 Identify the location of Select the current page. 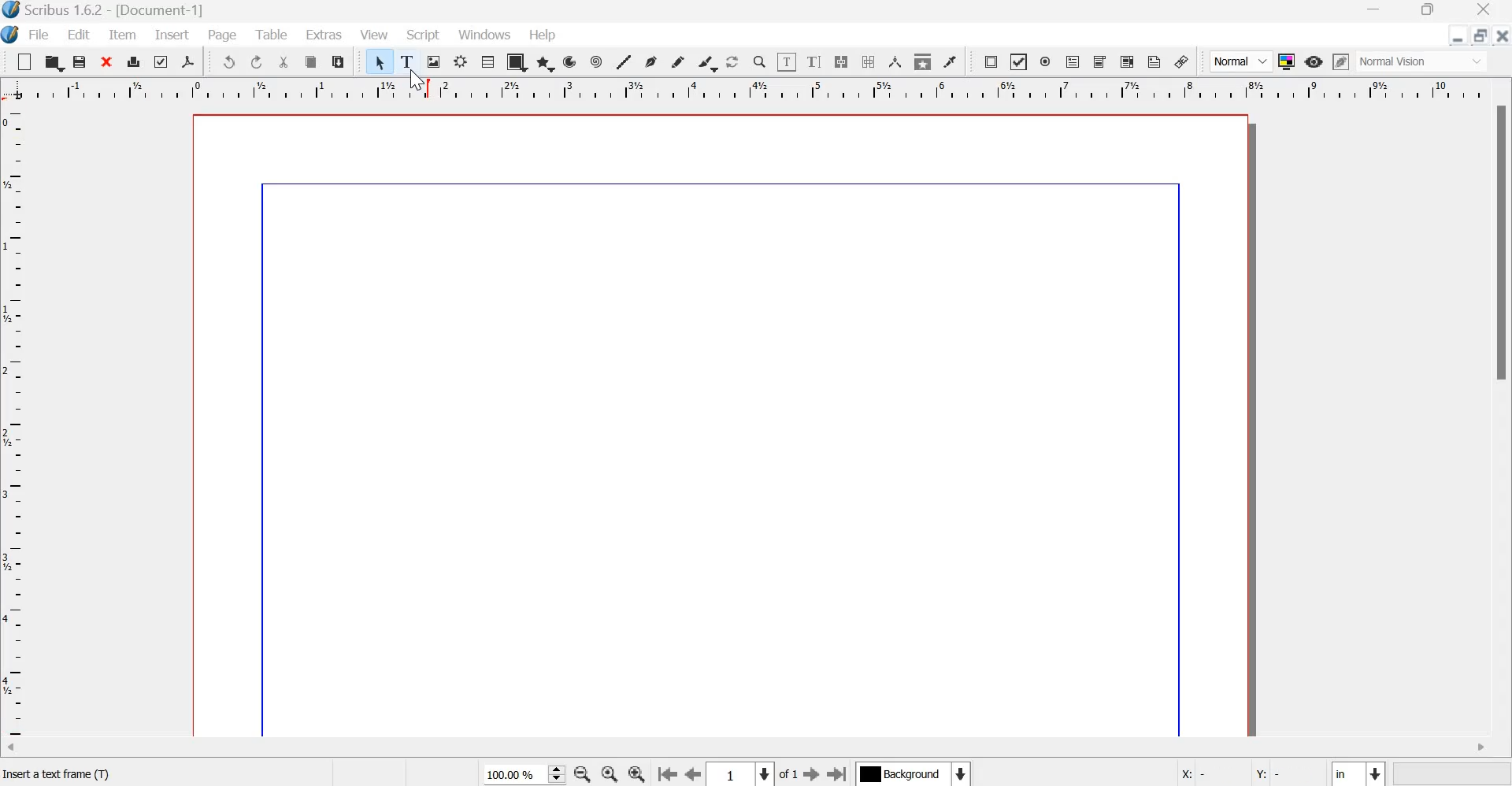
(741, 774).